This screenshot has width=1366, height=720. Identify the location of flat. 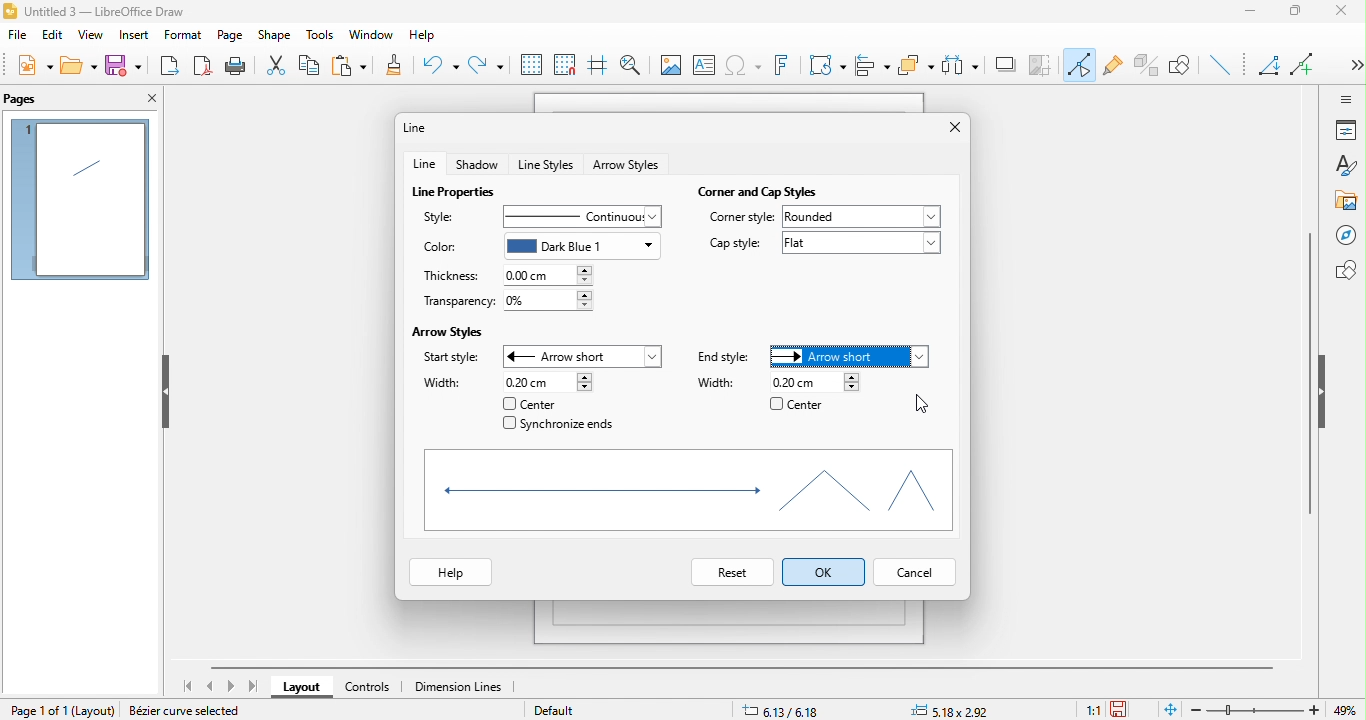
(861, 248).